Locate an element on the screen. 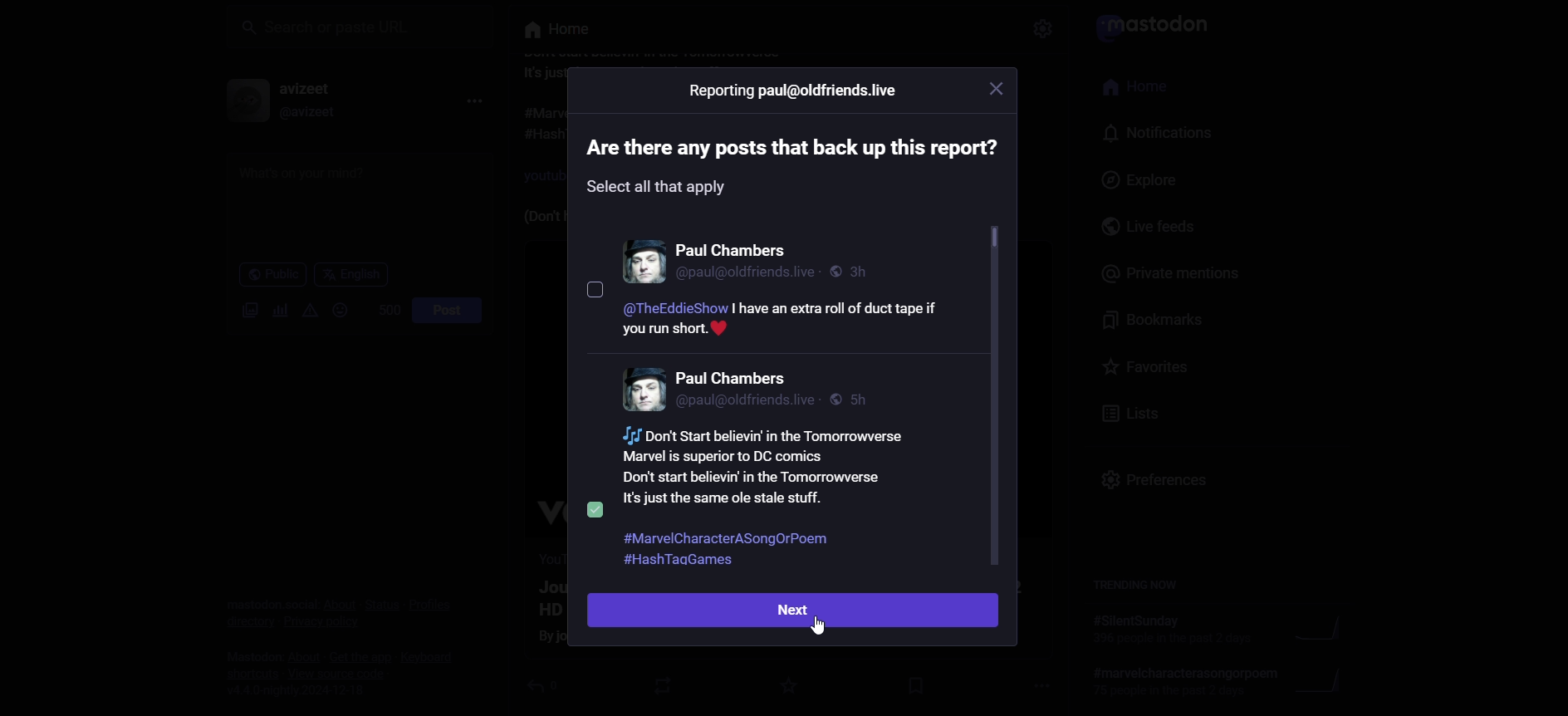 The image size is (1568, 716).  is located at coordinates (737, 251).